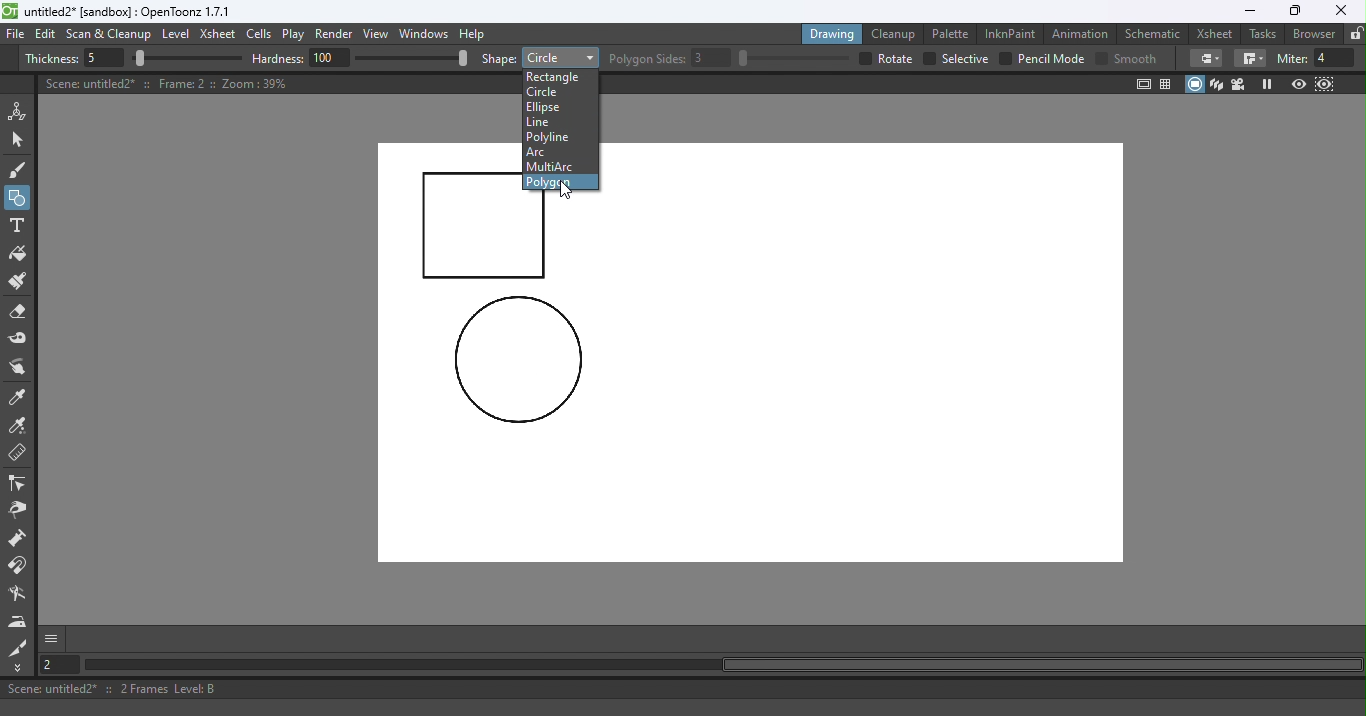  I want to click on Camera view, so click(1241, 83).